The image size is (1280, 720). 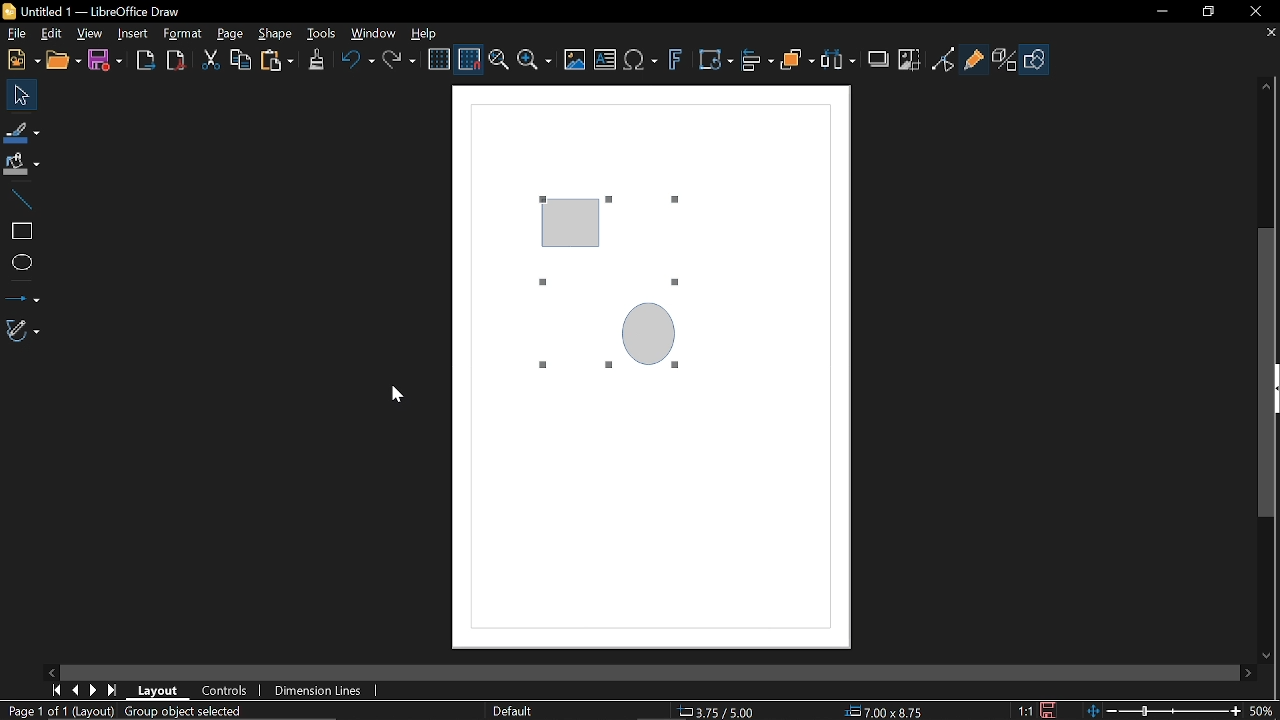 I want to click on Current window, so click(x=100, y=11).